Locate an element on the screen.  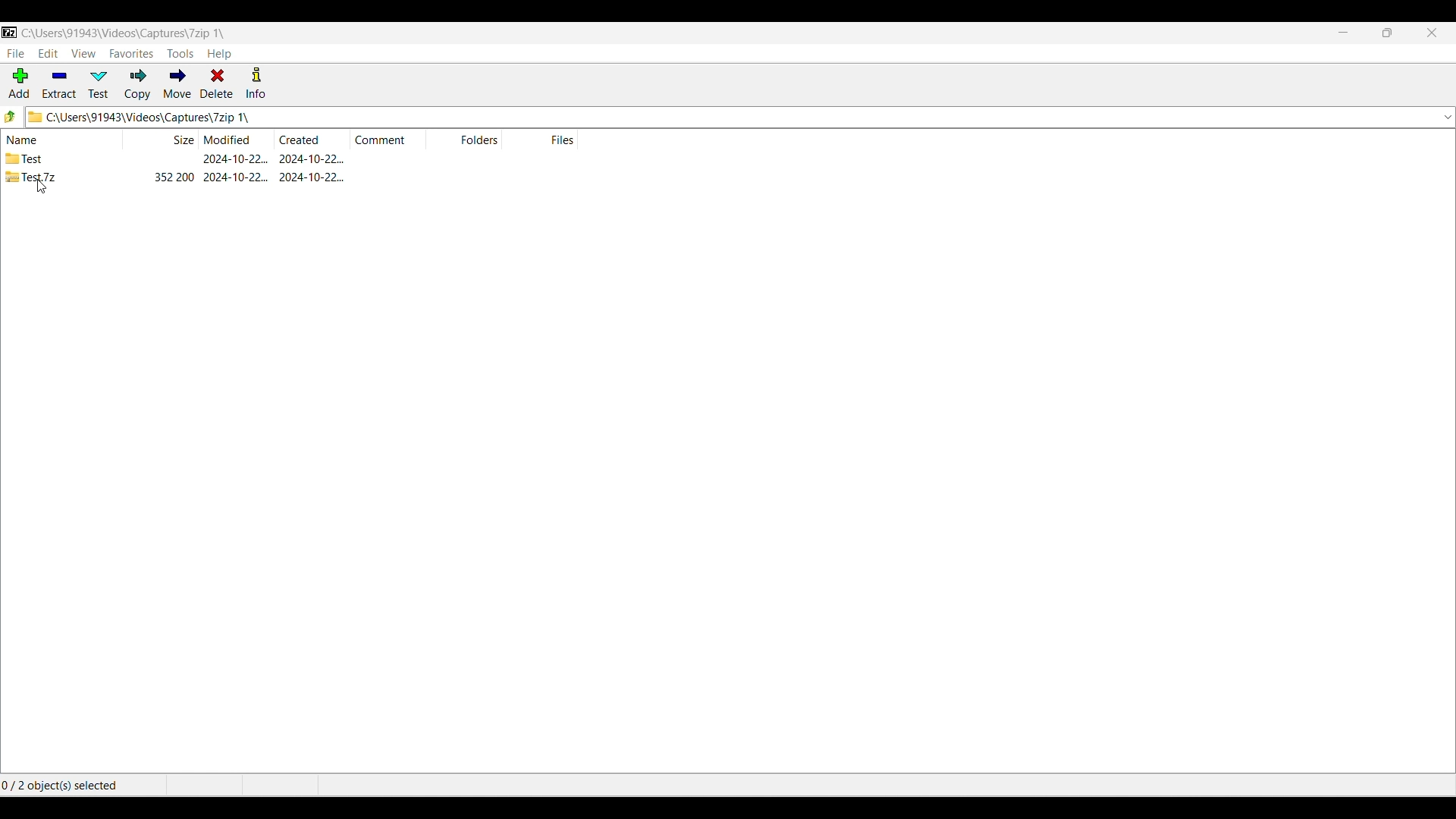
Folders column is located at coordinates (469, 139).